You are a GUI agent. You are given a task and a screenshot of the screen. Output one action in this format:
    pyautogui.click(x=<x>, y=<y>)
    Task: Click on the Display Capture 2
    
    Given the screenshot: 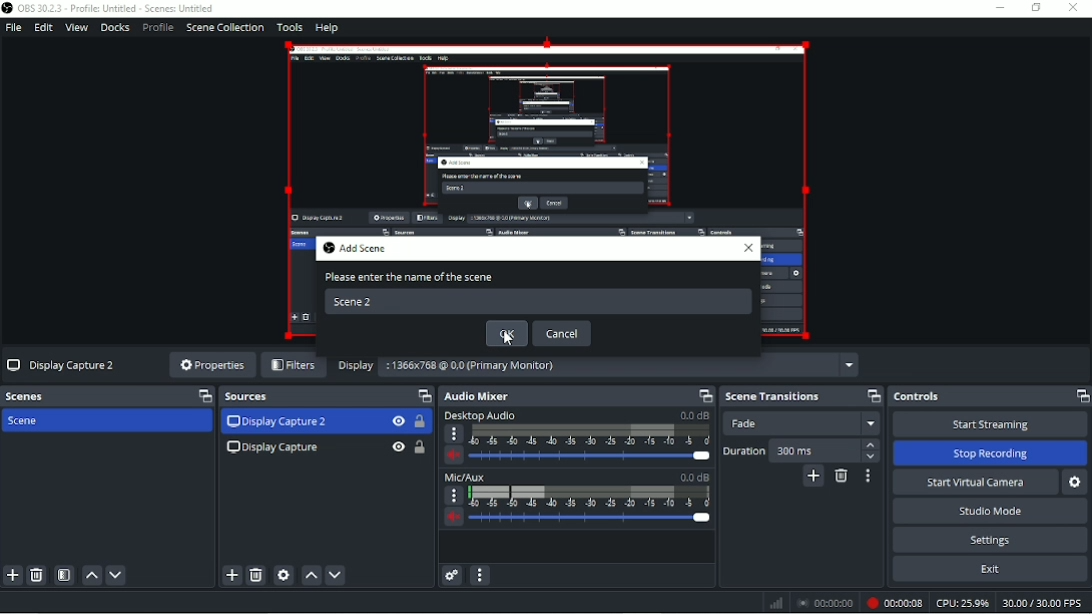 What is the action you would take?
    pyautogui.click(x=63, y=366)
    